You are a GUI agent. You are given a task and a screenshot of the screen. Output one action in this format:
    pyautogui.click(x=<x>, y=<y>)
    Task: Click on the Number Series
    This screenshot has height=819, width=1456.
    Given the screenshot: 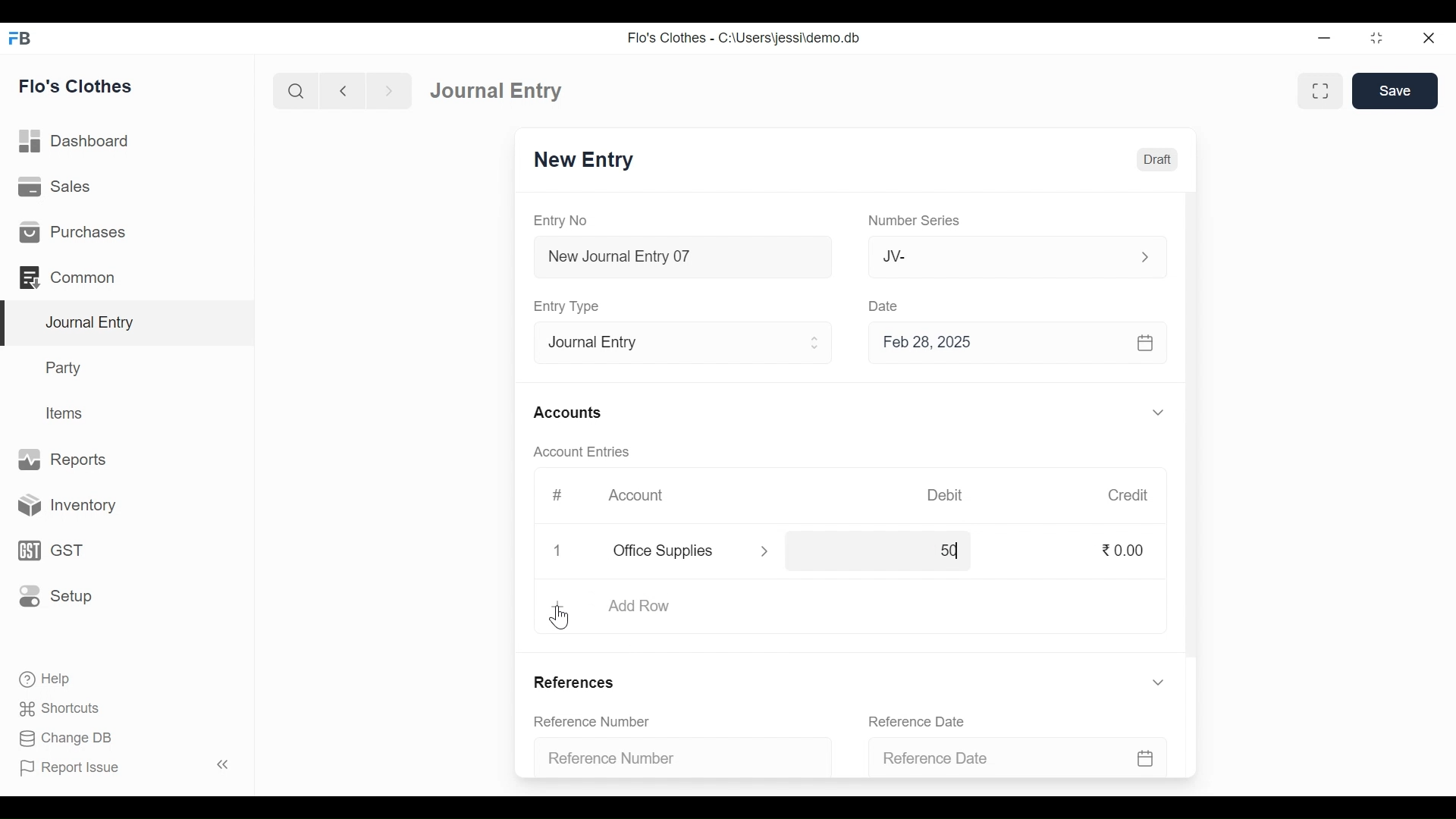 What is the action you would take?
    pyautogui.click(x=915, y=221)
    